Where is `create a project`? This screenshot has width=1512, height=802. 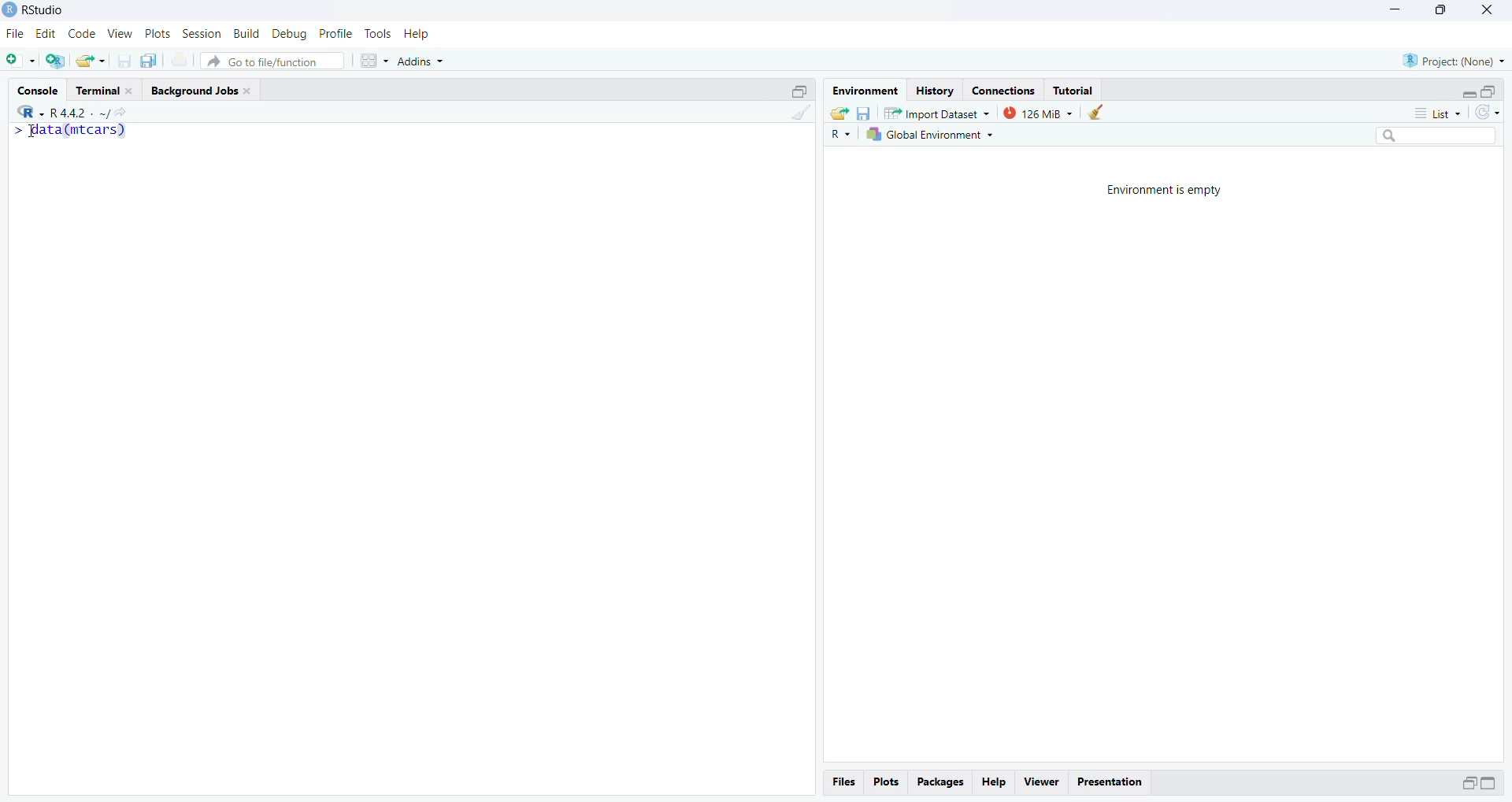 create a project is located at coordinates (57, 61).